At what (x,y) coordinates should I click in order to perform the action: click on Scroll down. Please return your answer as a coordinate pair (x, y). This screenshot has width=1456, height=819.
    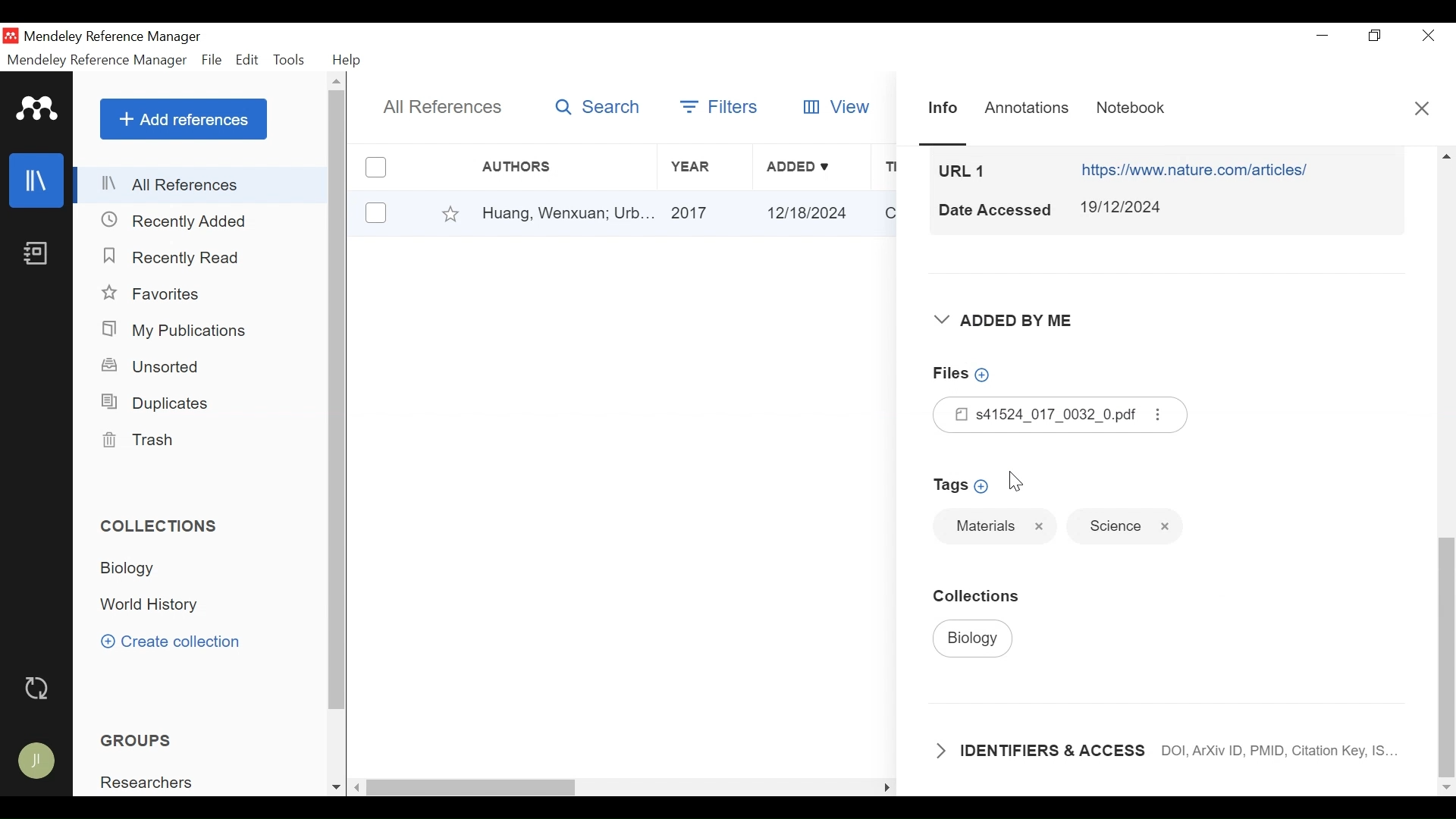
    Looking at the image, I should click on (1446, 787).